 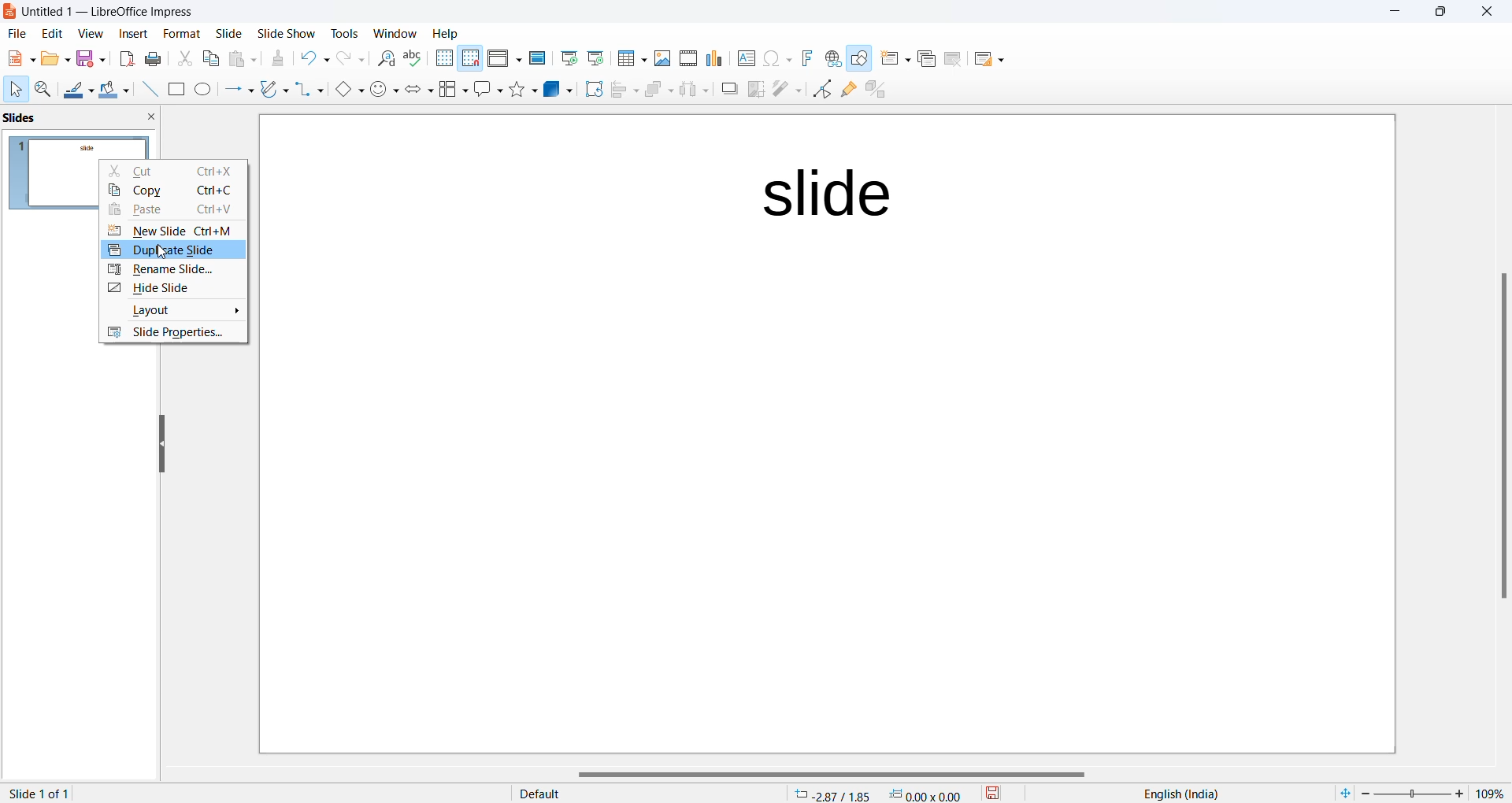 I want to click on close slide preview pane, so click(x=154, y=118).